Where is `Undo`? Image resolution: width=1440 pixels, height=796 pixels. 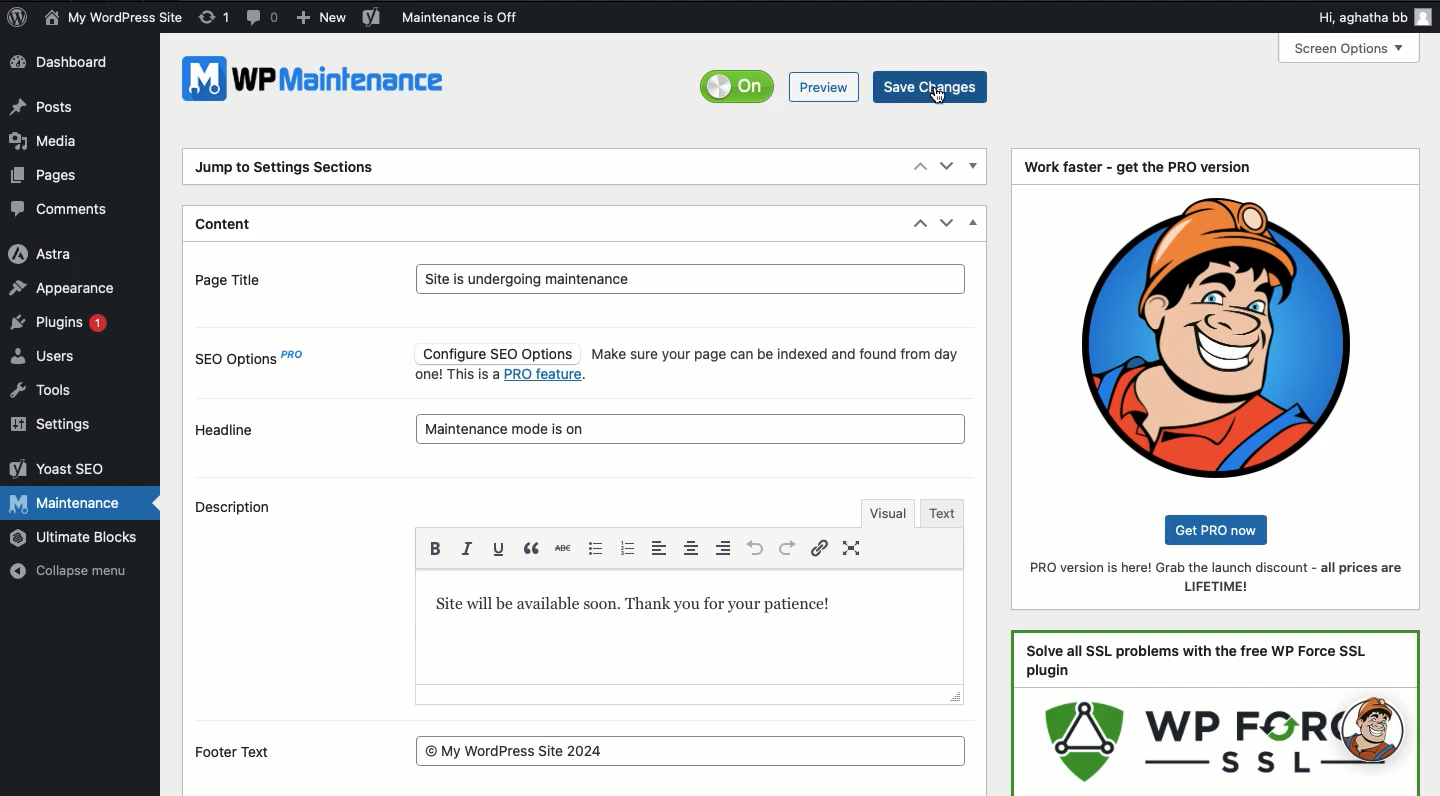
Undo is located at coordinates (755, 548).